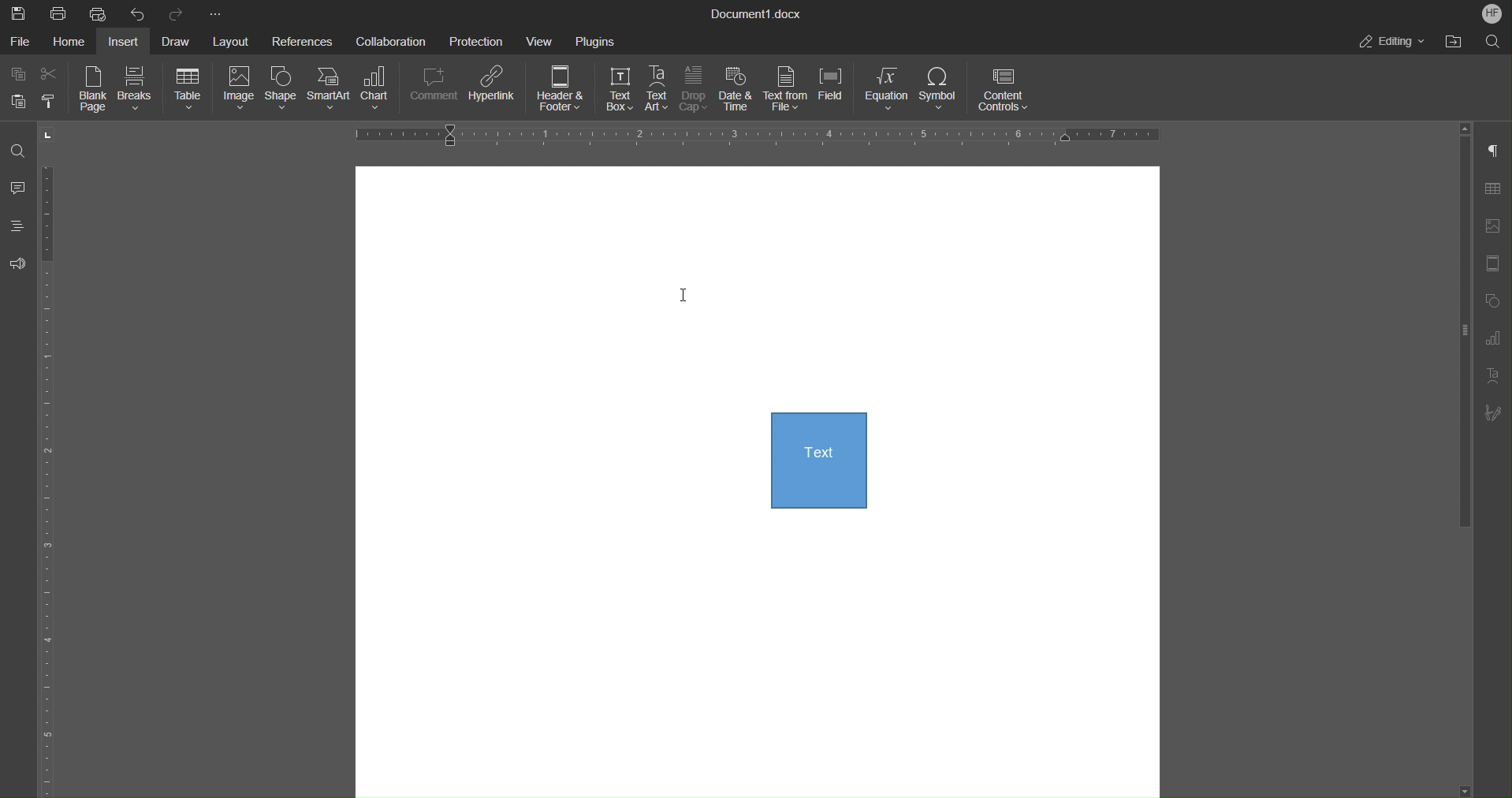 The height and width of the screenshot is (798, 1512). Describe the element at coordinates (562, 91) in the screenshot. I see `Header & Footer` at that location.